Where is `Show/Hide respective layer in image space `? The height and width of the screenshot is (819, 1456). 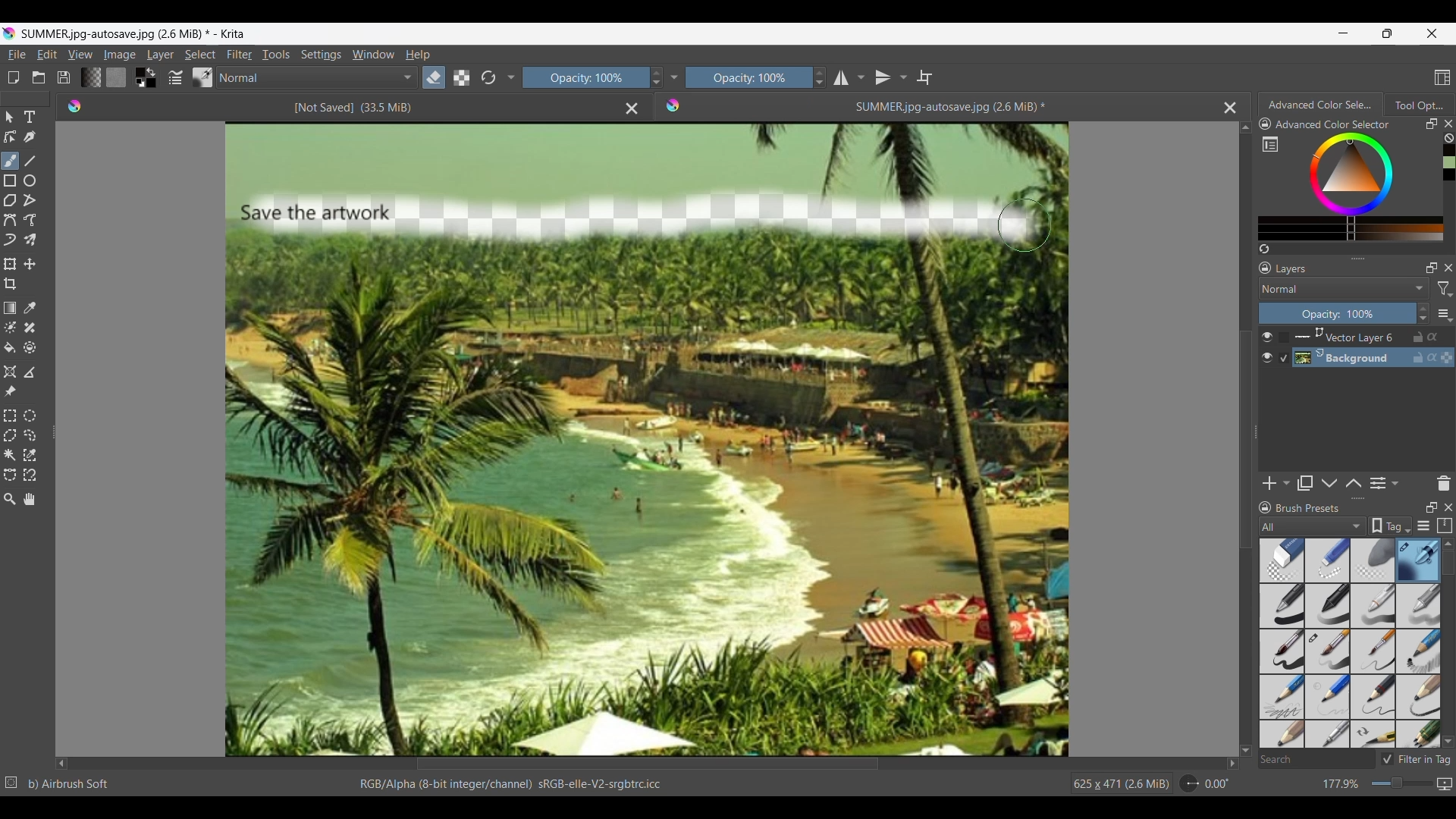 Show/Hide respective layer in image space  is located at coordinates (1266, 347).